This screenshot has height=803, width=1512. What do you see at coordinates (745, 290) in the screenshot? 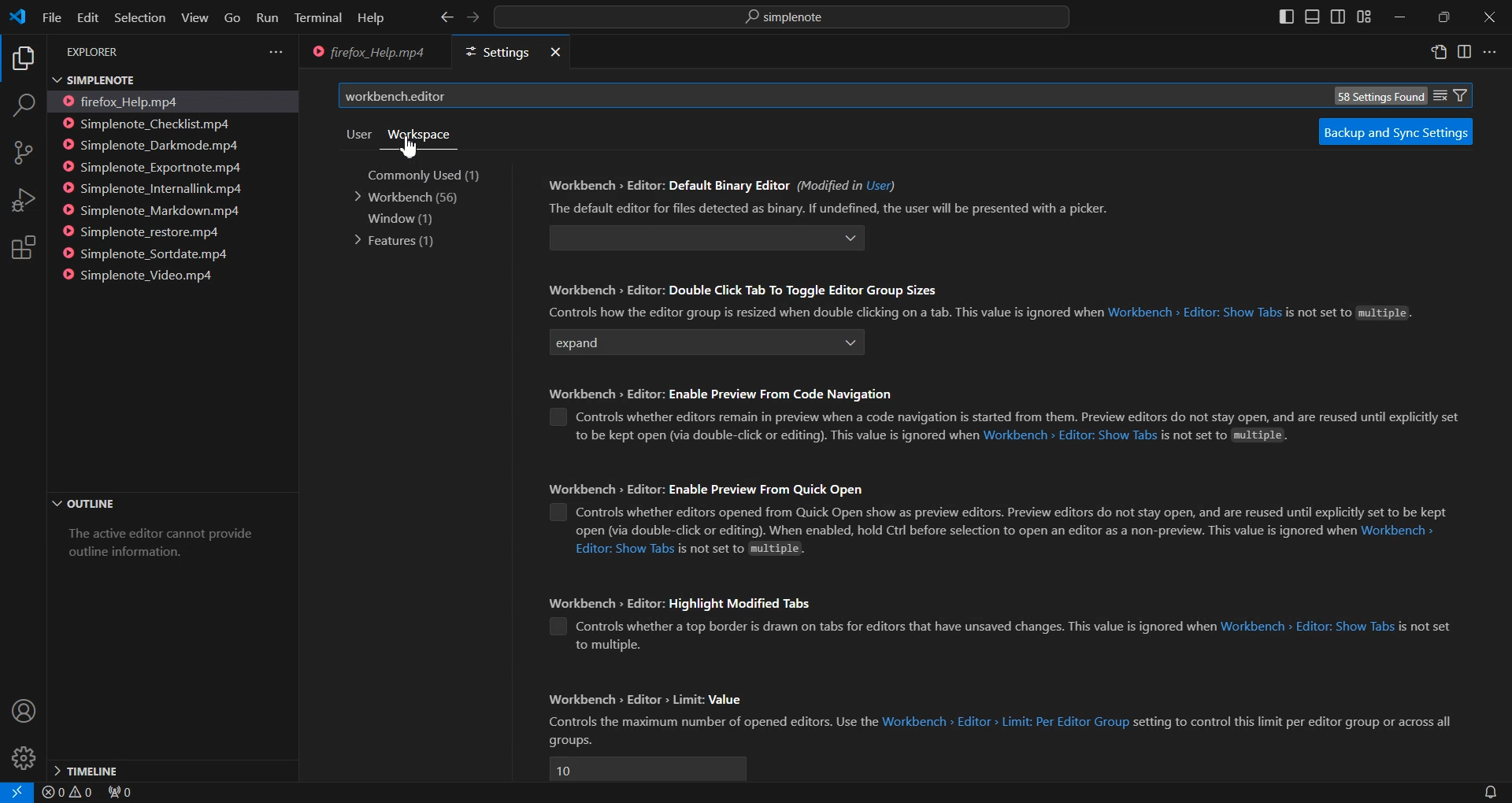
I see `‘Workbench > Editor: Double Click Tab To Toggle Editor Group Sizes` at bounding box center [745, 290].